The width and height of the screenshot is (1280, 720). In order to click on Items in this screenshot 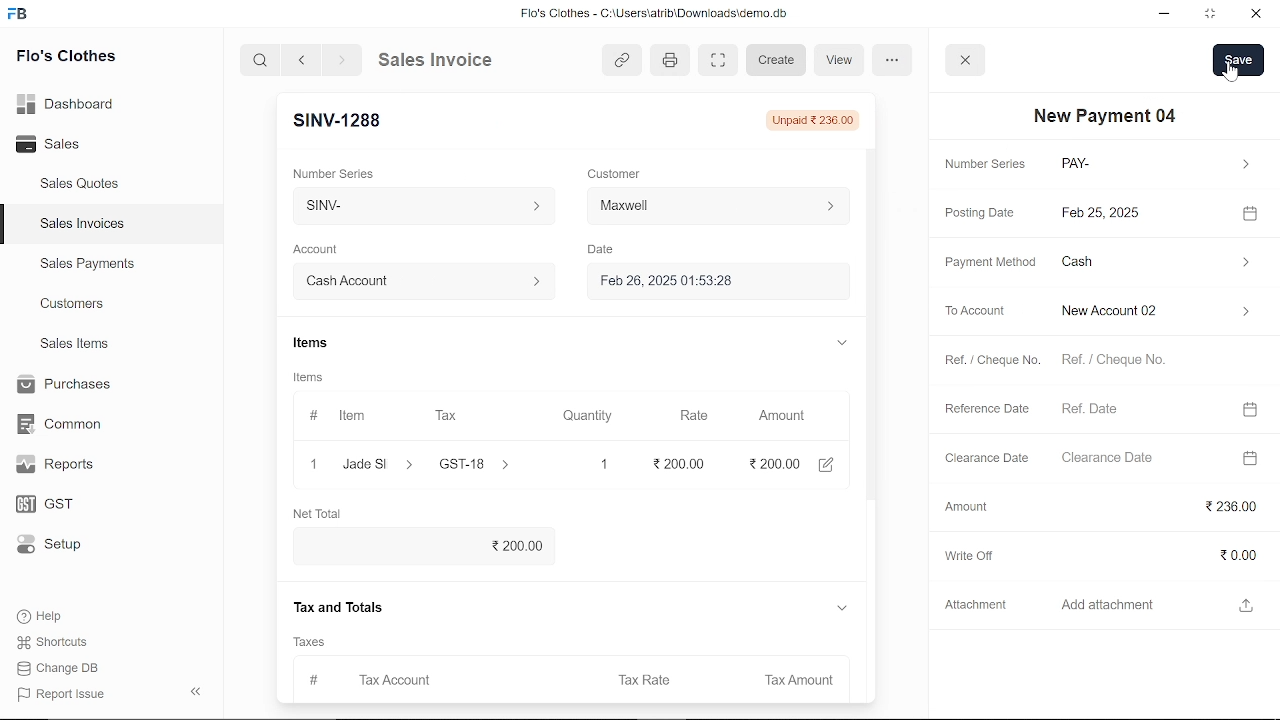, I will do `click(318, 343)`.